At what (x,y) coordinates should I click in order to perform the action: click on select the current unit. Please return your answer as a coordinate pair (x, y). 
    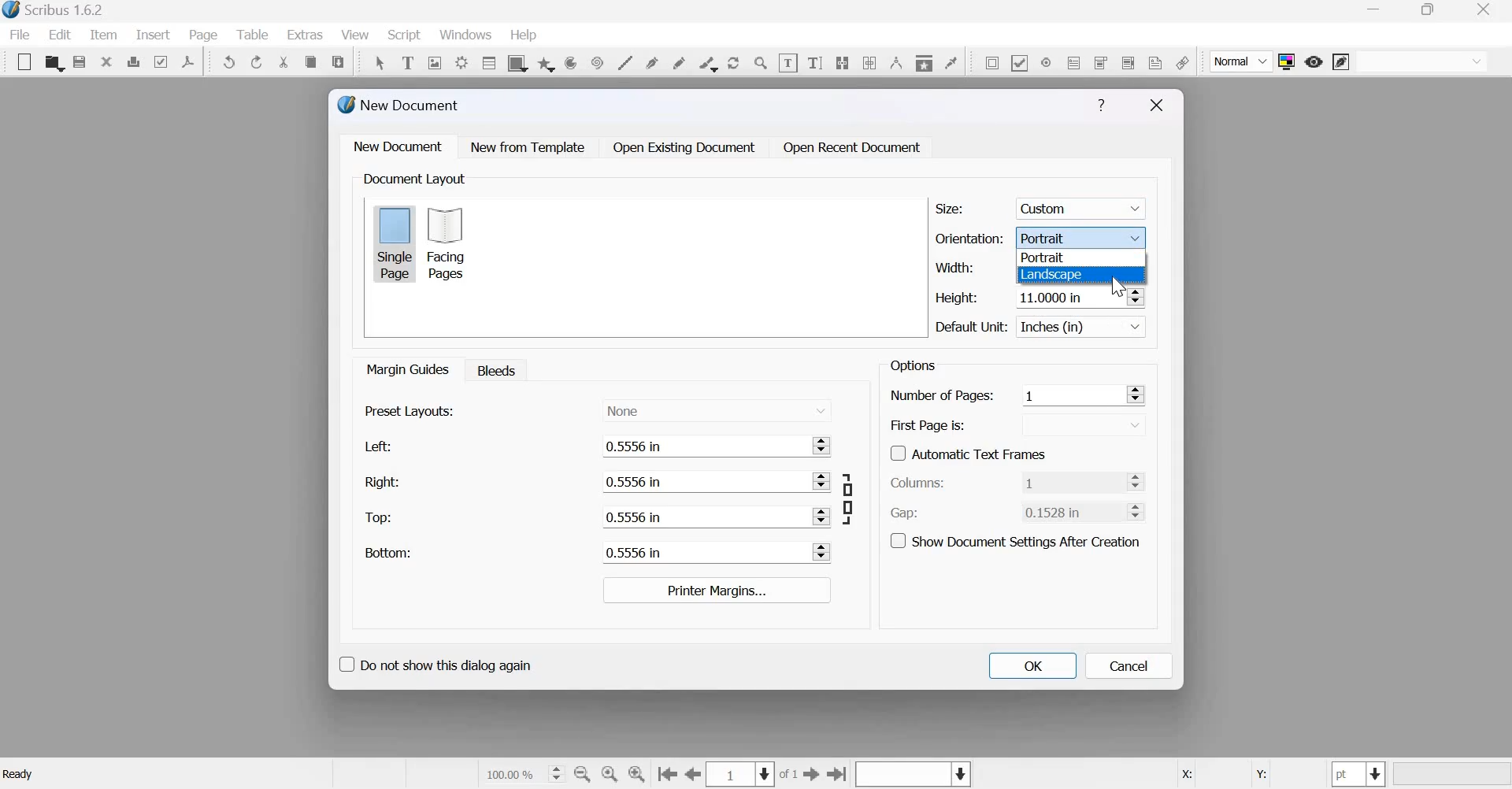
    Looking at the image, I should click on (1359, 774).